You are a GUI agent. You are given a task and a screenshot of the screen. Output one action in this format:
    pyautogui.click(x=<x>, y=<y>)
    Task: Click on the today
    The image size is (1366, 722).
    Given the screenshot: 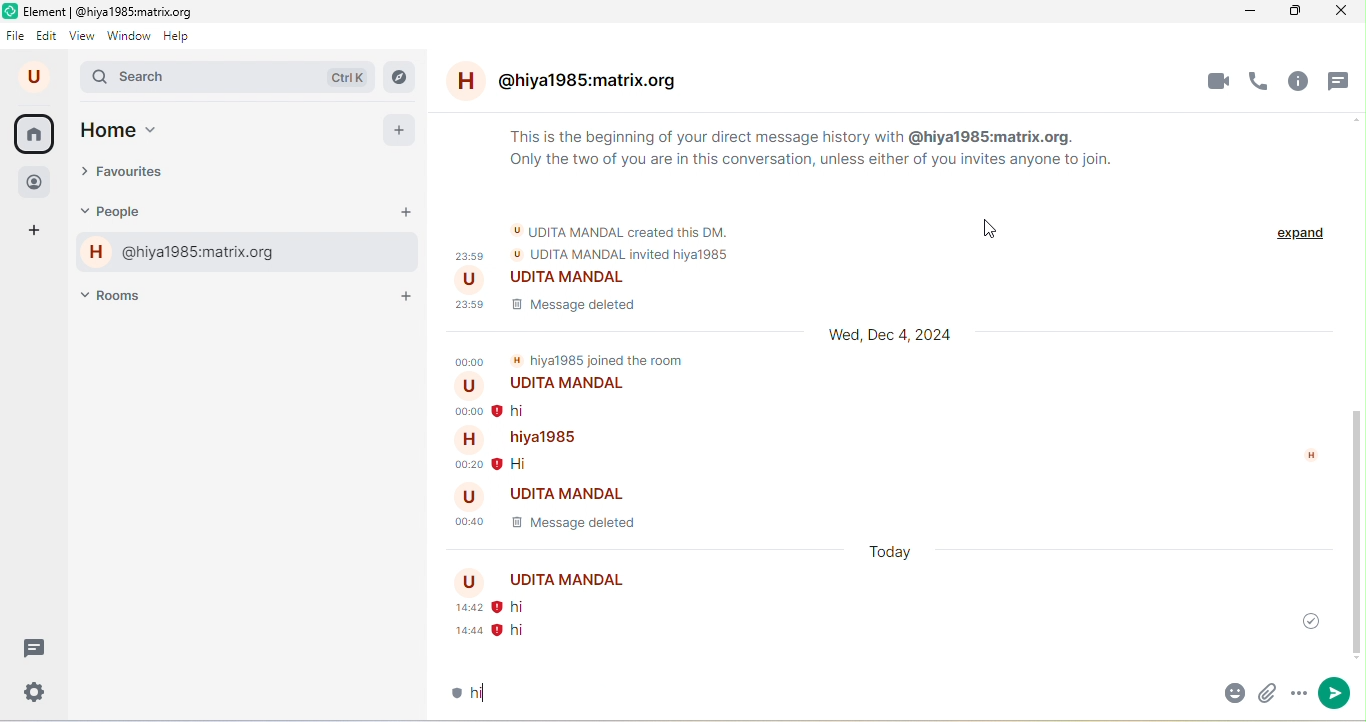 What is the action you would take?
    pyautogui.click(x=891, y=550)
    